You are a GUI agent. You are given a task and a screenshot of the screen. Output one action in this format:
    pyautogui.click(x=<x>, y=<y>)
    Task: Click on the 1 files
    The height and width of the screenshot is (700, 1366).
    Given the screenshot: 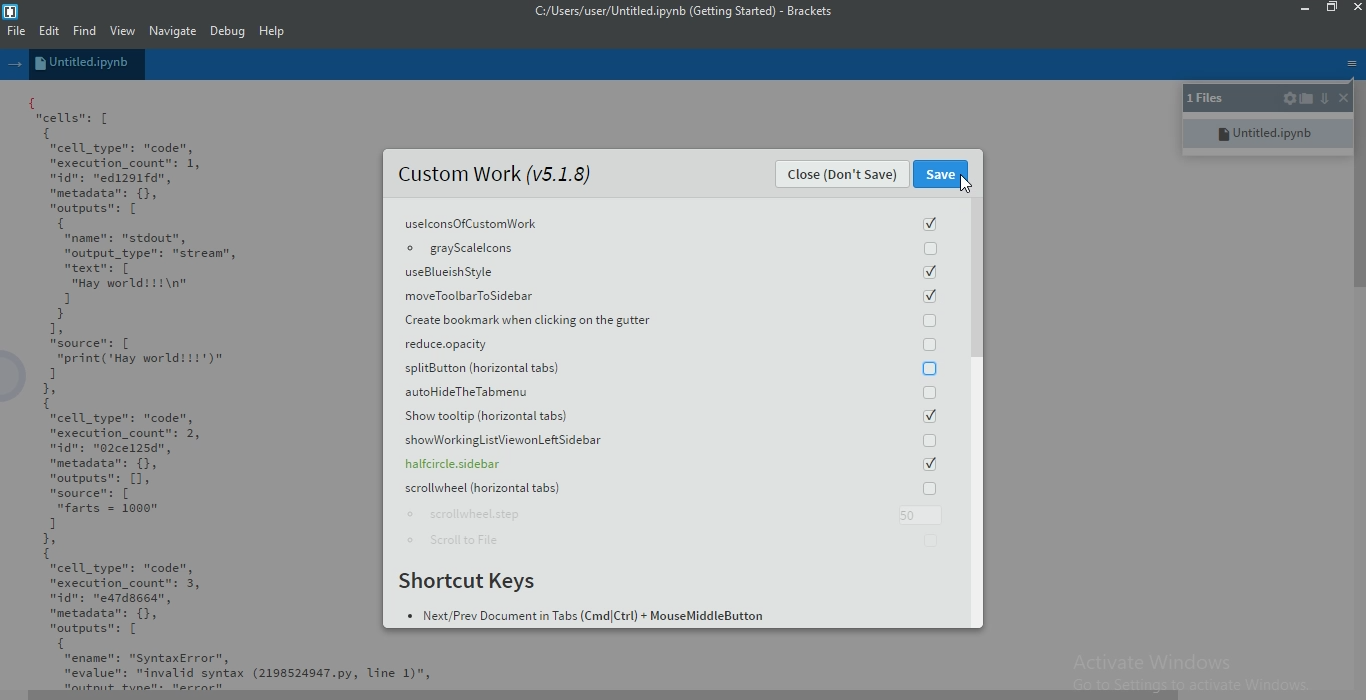 What is the action you would take?
    pyautogui.click(x=1208, y=99)
    